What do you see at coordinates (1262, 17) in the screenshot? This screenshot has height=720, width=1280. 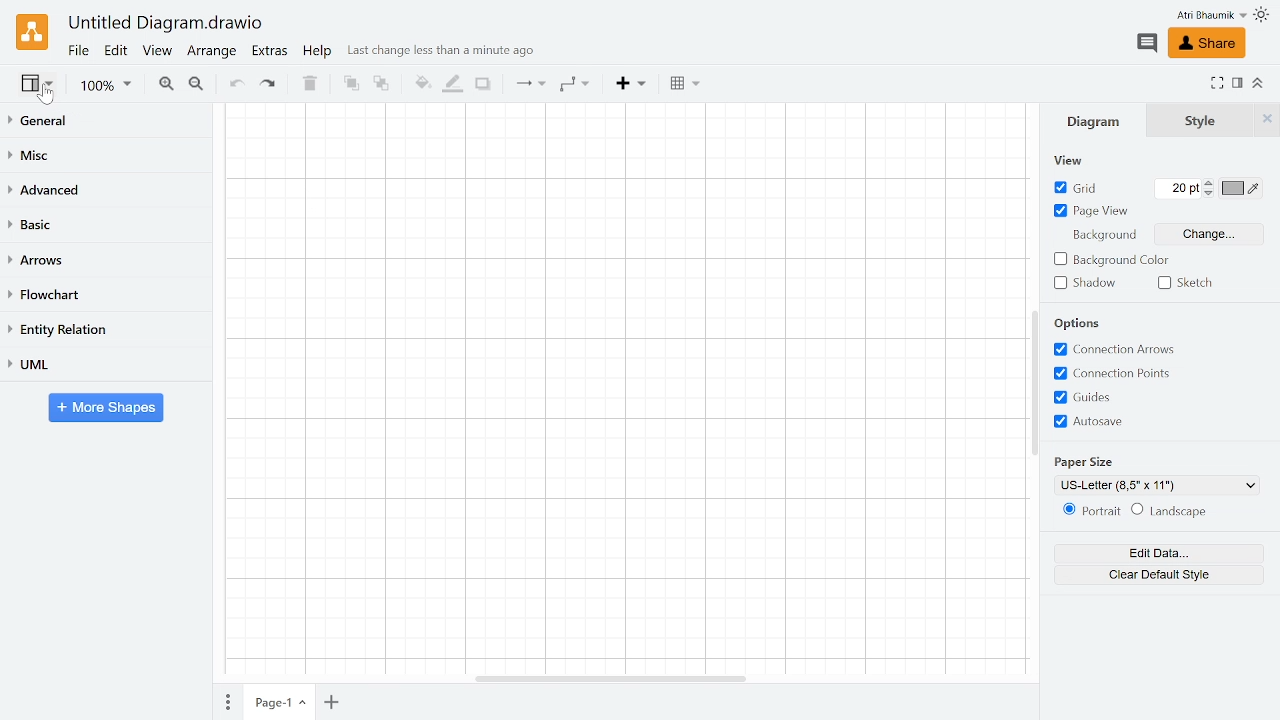 I see `Themes` at bounding box center [1262, 17].